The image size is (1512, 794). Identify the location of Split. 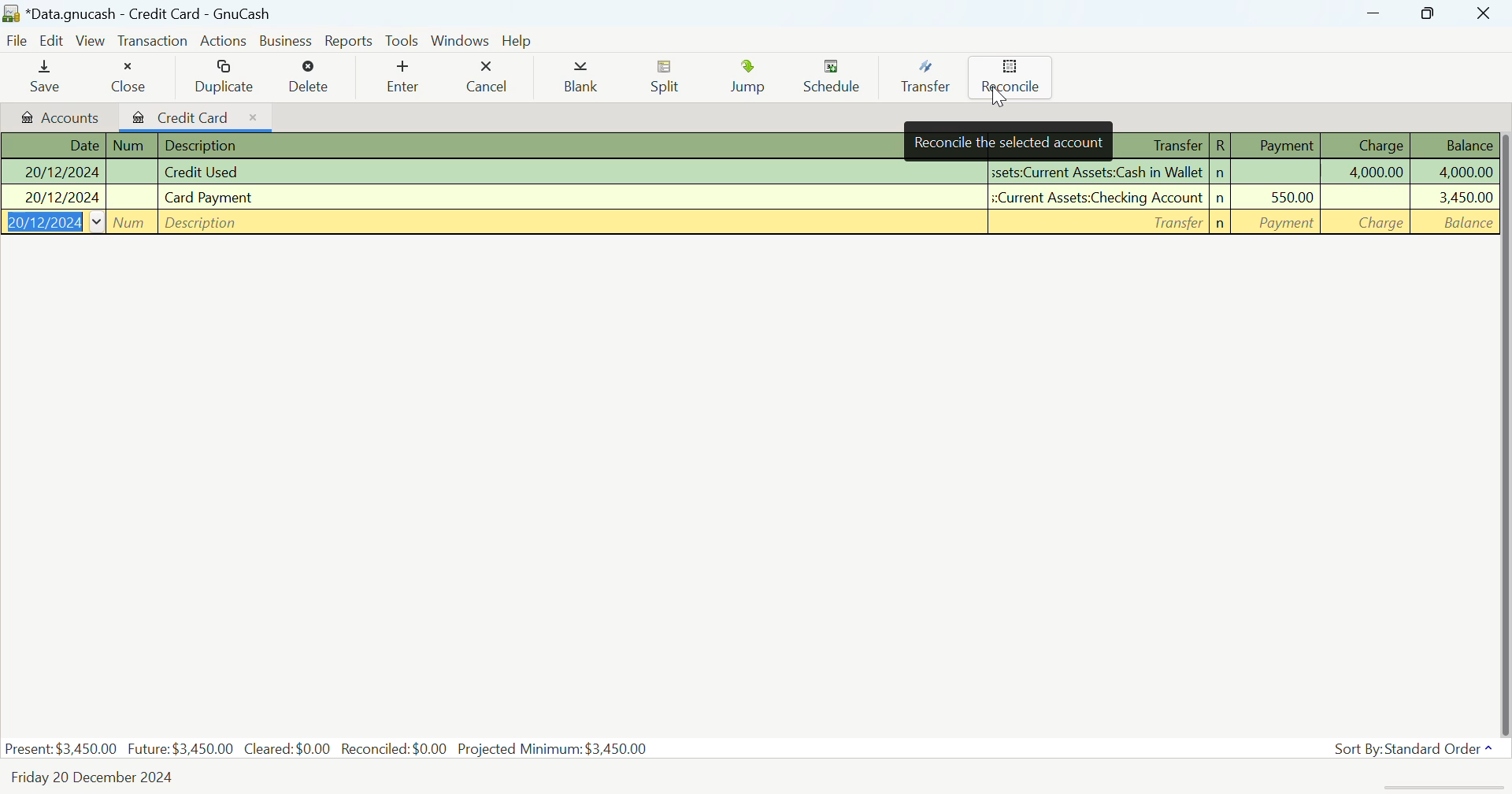
(667, 80).